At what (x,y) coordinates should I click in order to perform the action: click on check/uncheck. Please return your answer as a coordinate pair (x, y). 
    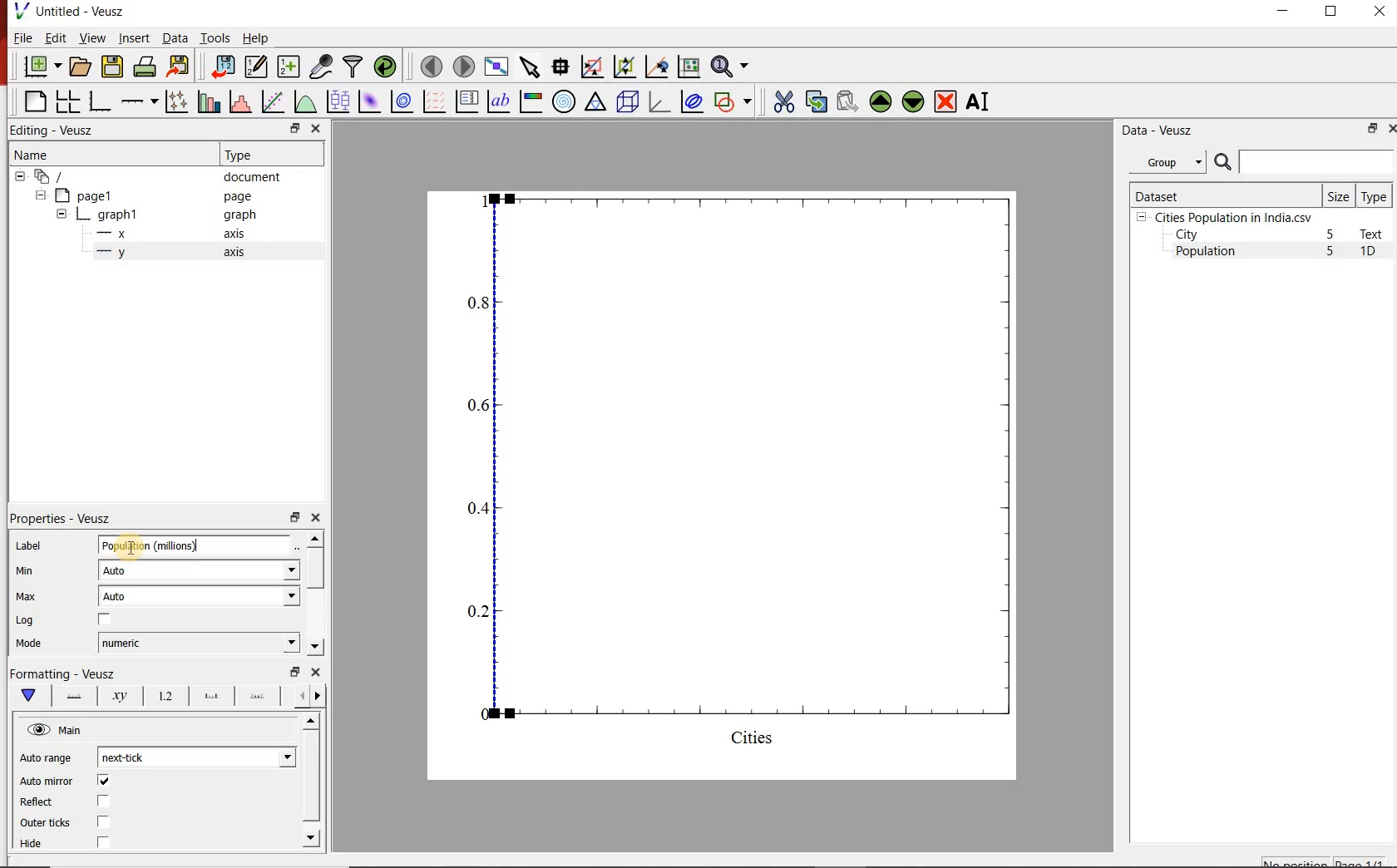
    Looking at the image, I should click on (103, 781).